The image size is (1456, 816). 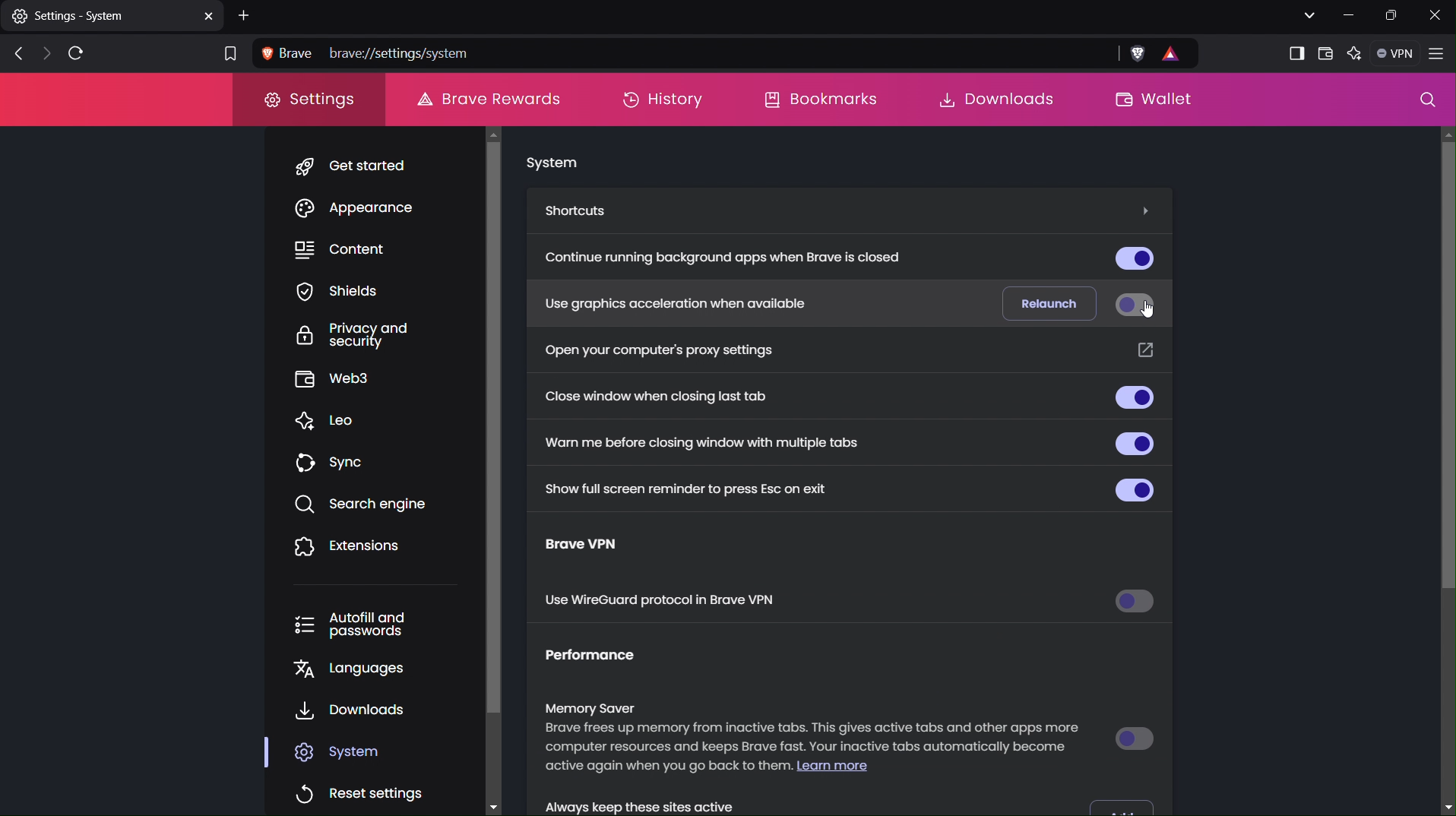 I want to click on Search engine, so click(x=366, y=504).